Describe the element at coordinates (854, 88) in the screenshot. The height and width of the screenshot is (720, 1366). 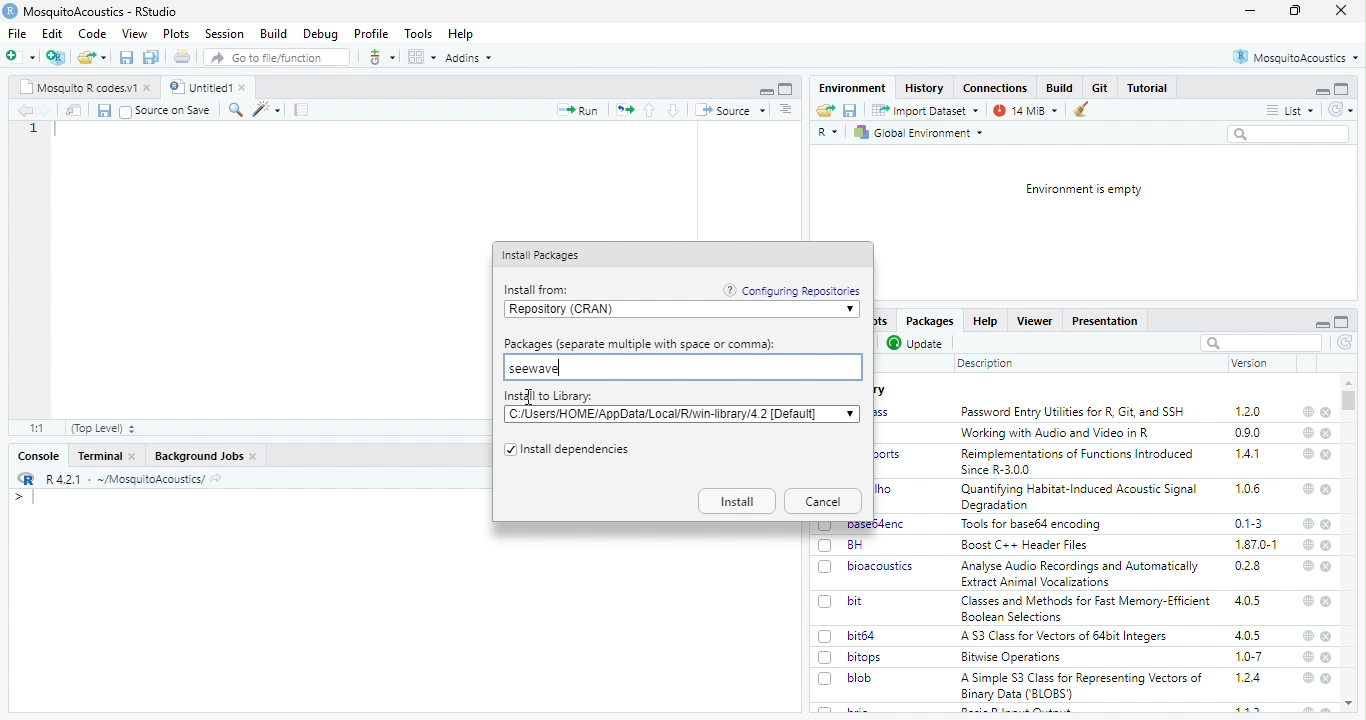
I see `Environment` at that location.